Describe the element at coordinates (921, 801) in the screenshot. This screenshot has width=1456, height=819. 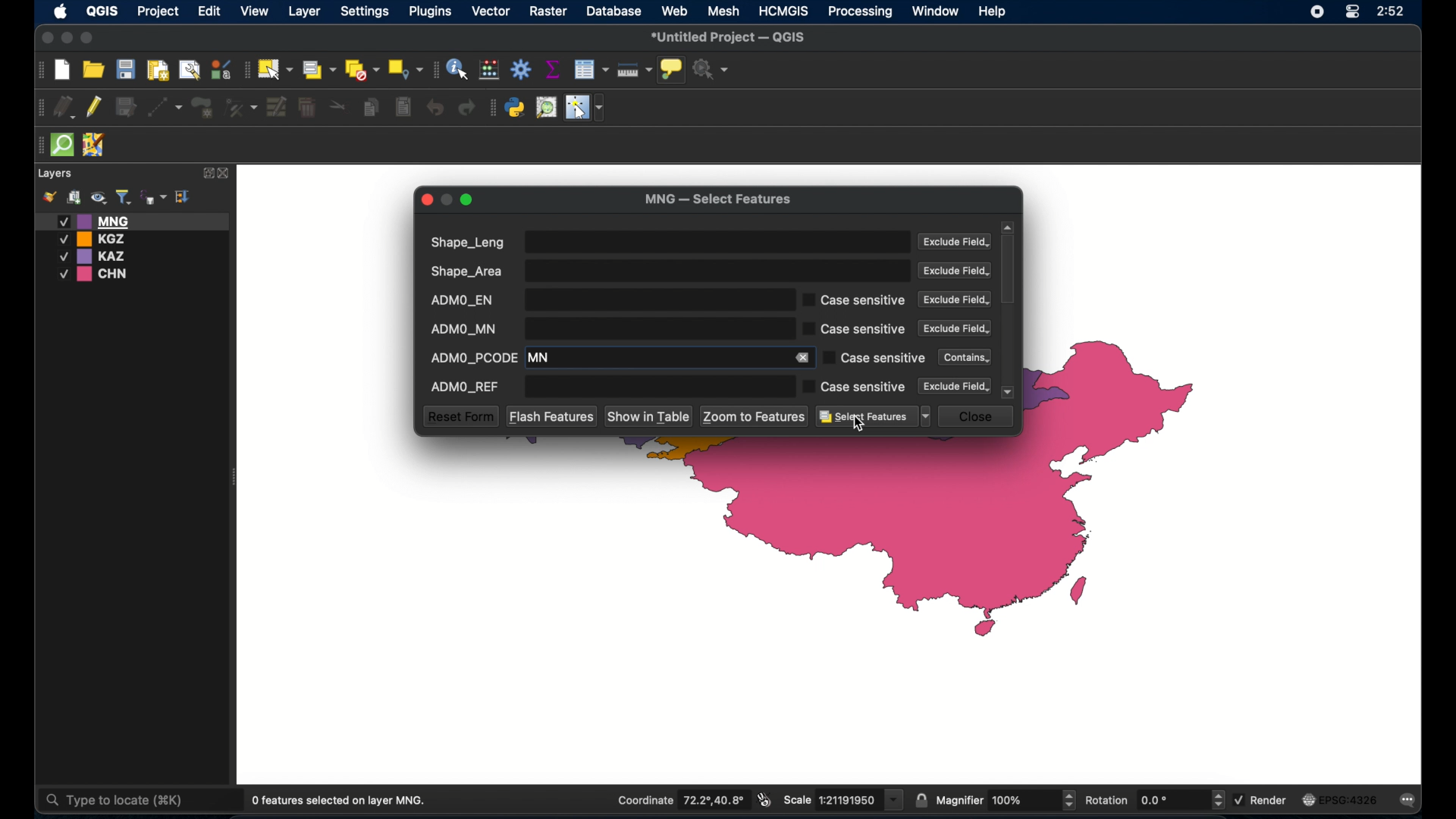
I see `lock scale` at that location.